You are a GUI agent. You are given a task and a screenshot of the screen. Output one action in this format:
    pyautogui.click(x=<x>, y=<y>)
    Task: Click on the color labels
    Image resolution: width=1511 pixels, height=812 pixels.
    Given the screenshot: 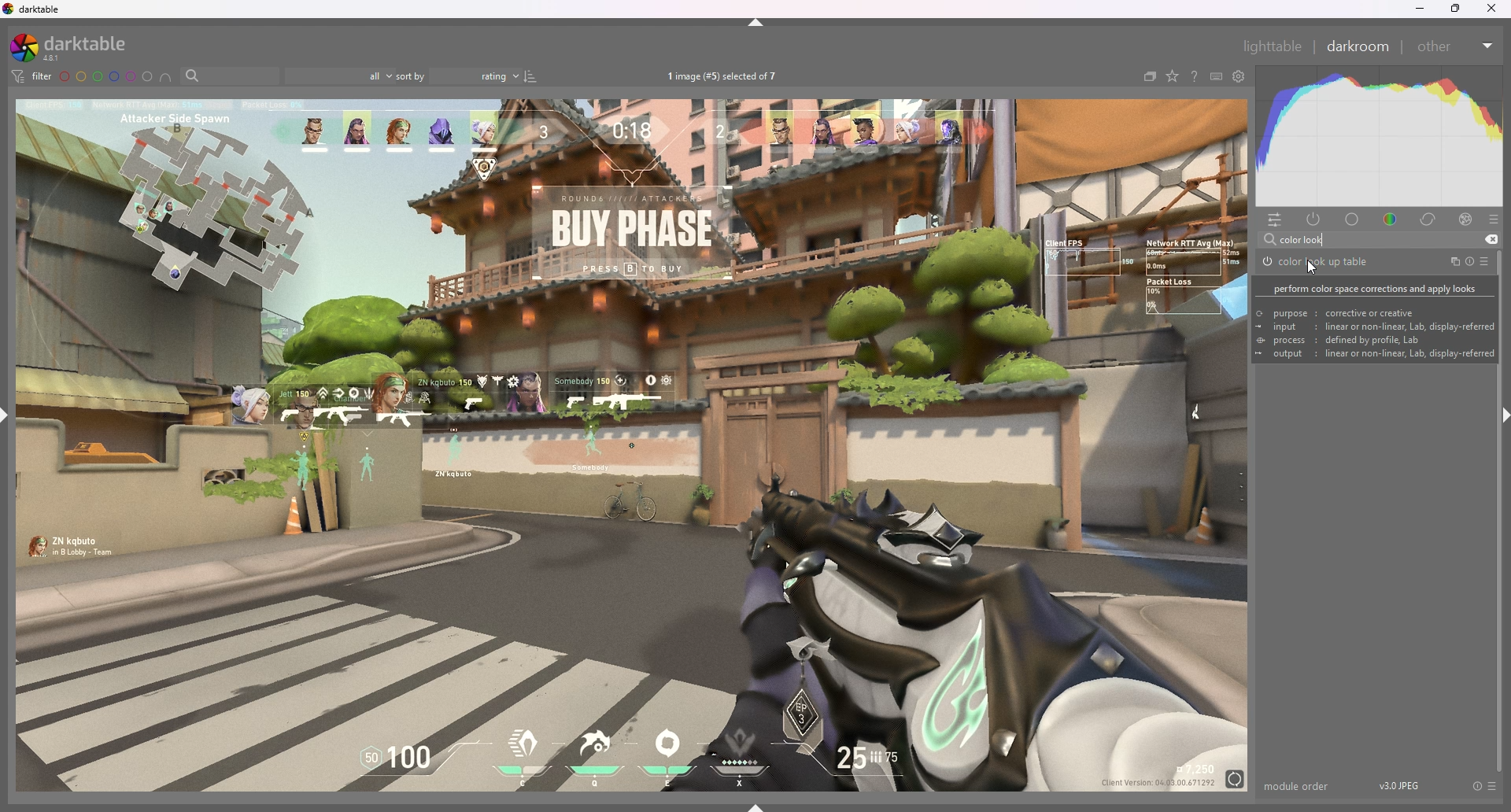 What is the action you would take?
    pyautogui.click(x=105, y=76)
    